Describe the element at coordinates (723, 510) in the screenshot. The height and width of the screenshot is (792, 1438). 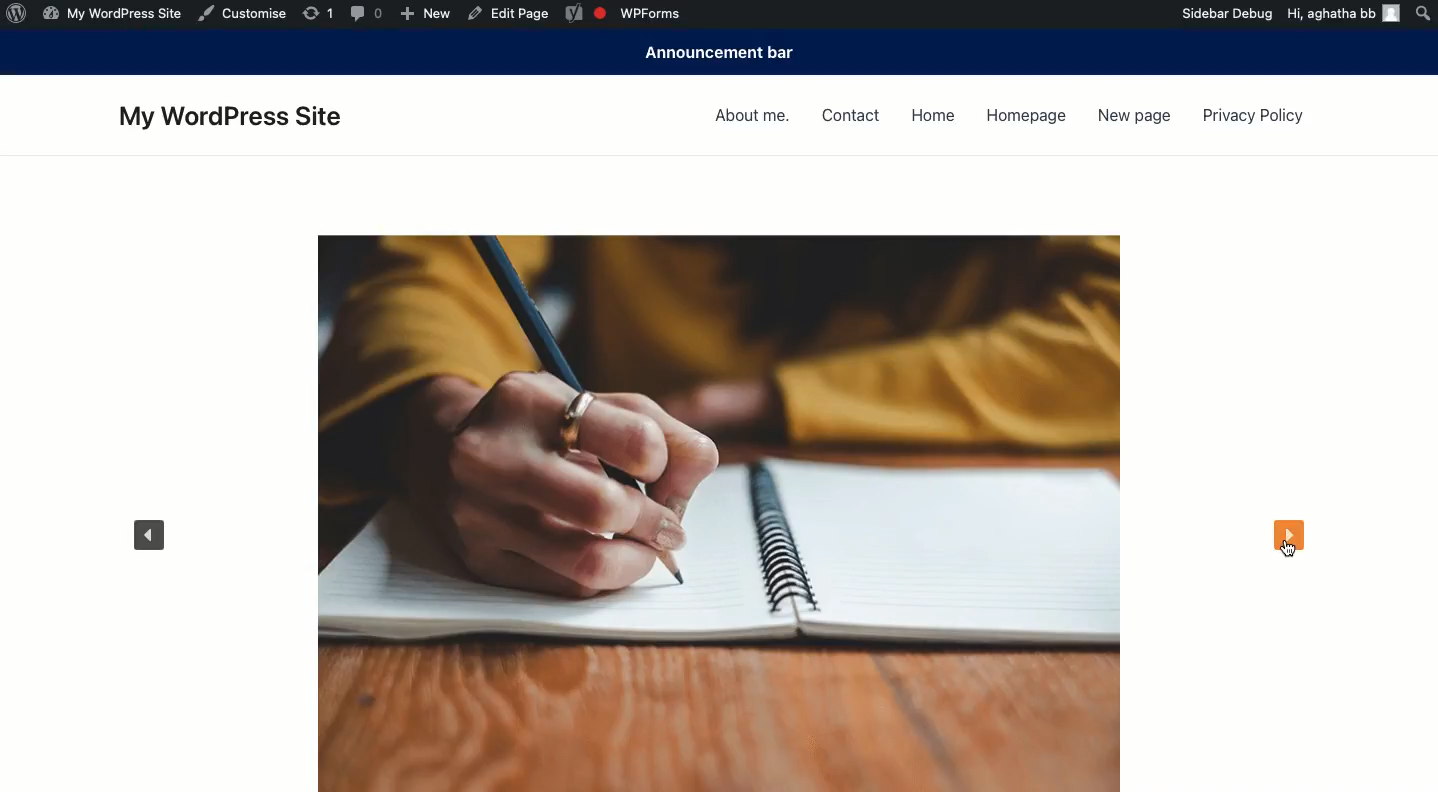
I see `Carousel` at that location.